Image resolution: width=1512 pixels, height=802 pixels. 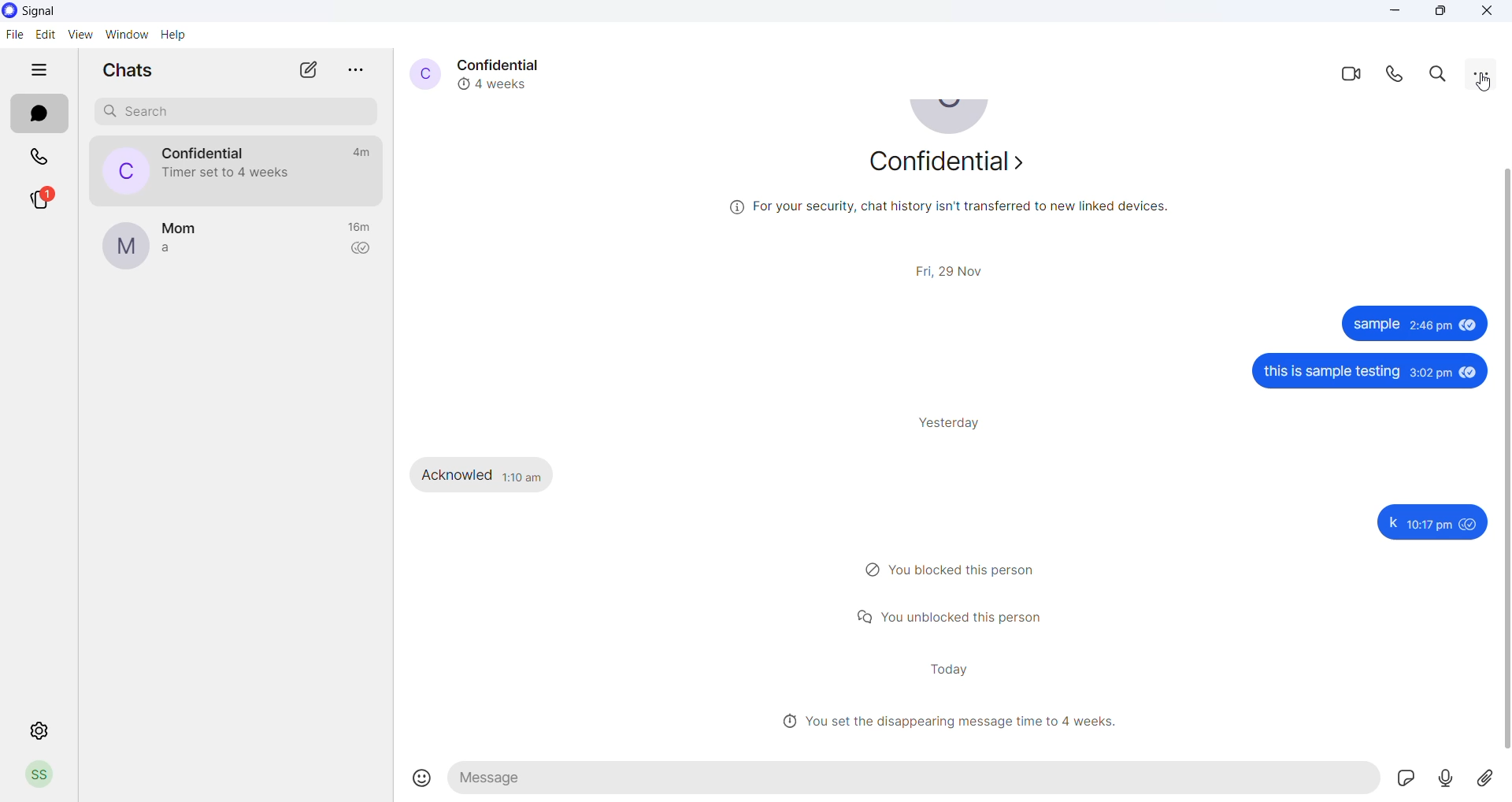 I want to click on settings, so click(x=41, y=732).